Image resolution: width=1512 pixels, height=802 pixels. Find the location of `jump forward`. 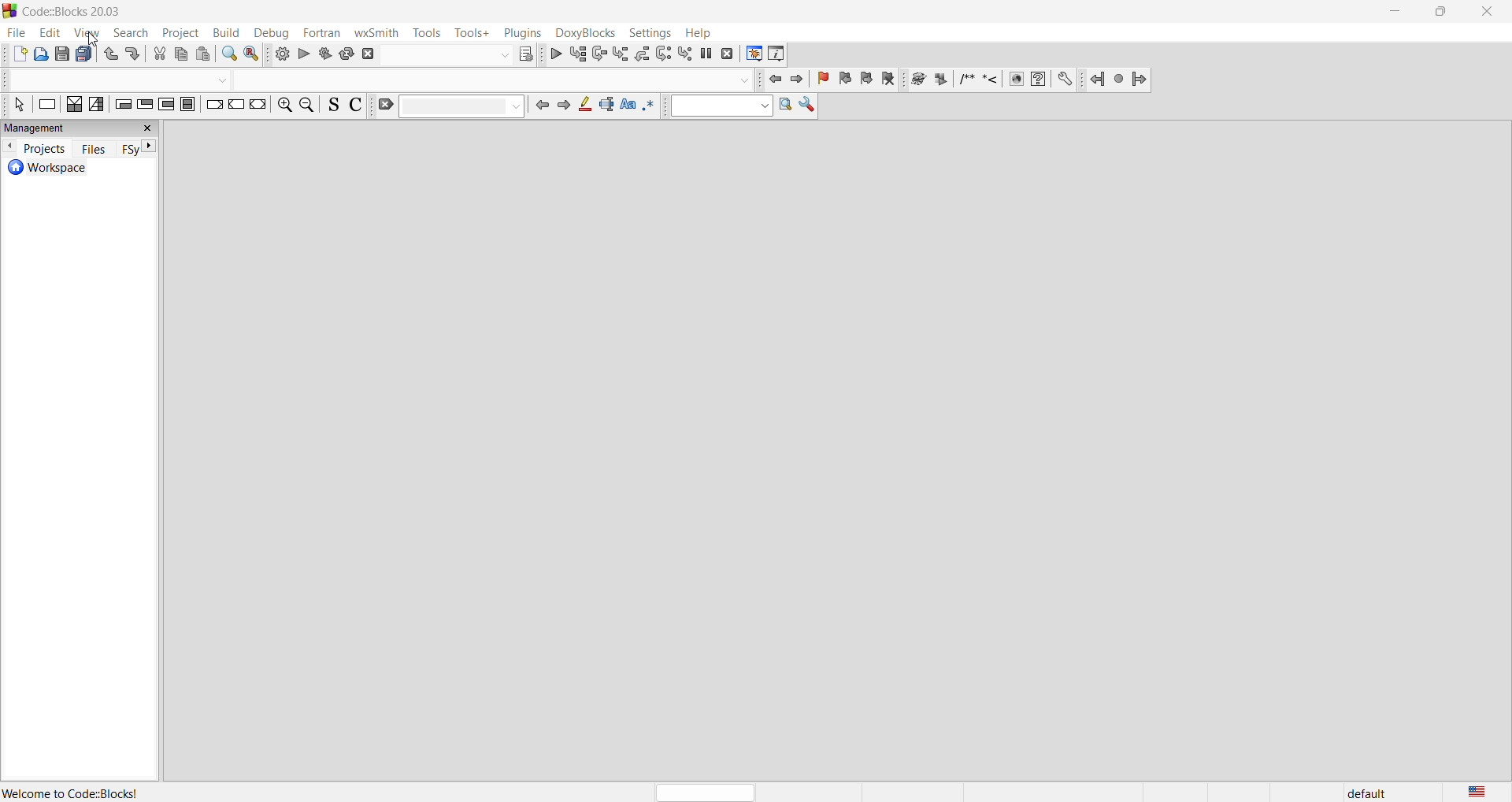

jump forward is located at coordinates (566, 106).